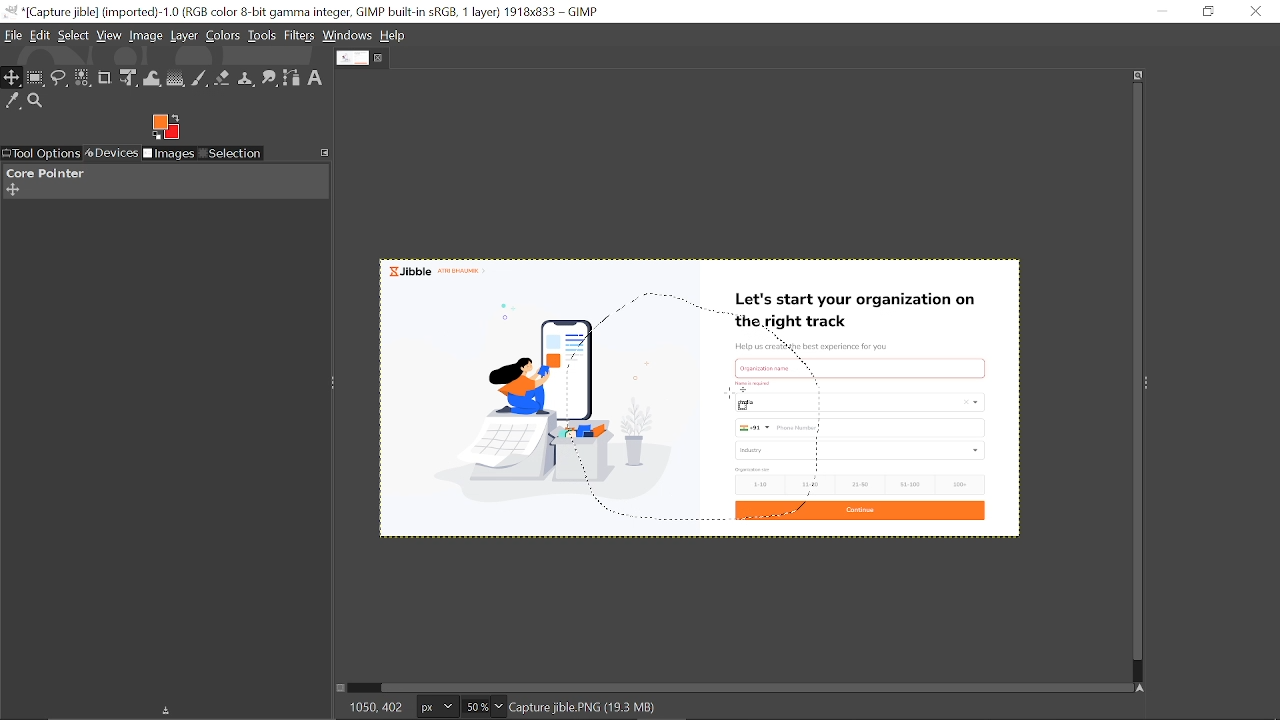 The image size is (1280, 720). What do you see at coordinates (757, 383) in the screenshot?
I see `` at bounding box center [757, 383].